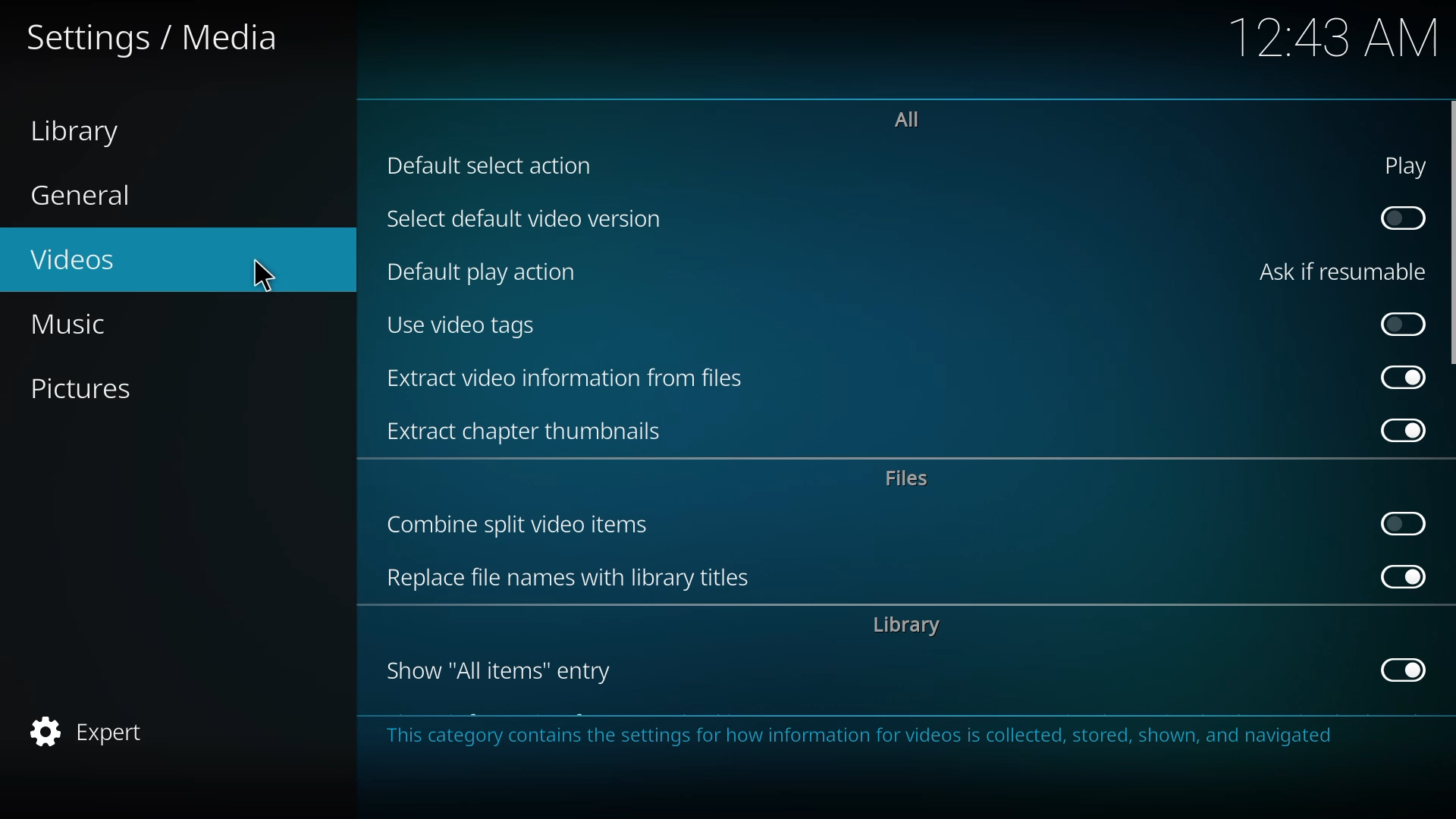  What do you see at coordinates (912, 477) in the screenshot?
I see `files` at bounding box center [912, 477].